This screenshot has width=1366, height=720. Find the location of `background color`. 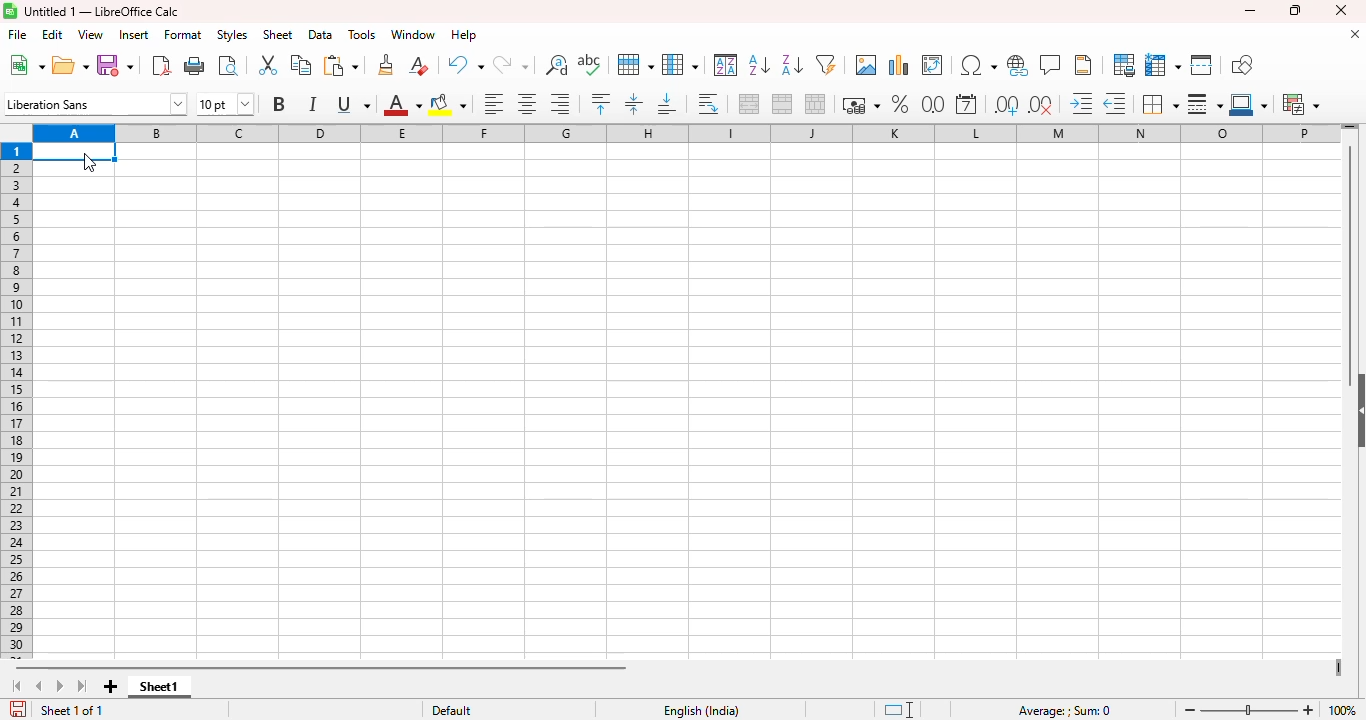

background color is located at coordinates (449, 105).